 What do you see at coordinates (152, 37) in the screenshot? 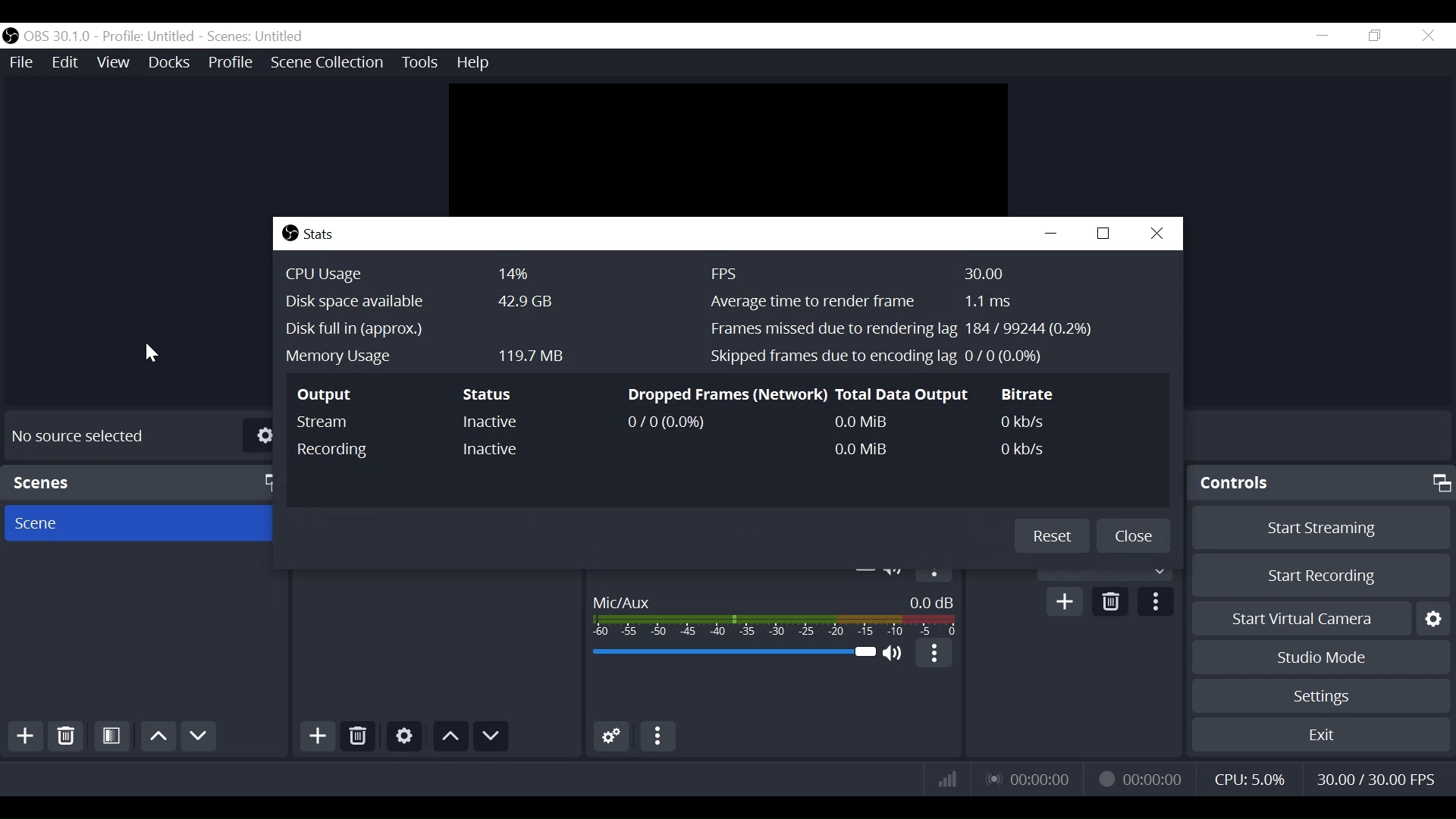
I see `Profile name` at bounding box center [152, 37].